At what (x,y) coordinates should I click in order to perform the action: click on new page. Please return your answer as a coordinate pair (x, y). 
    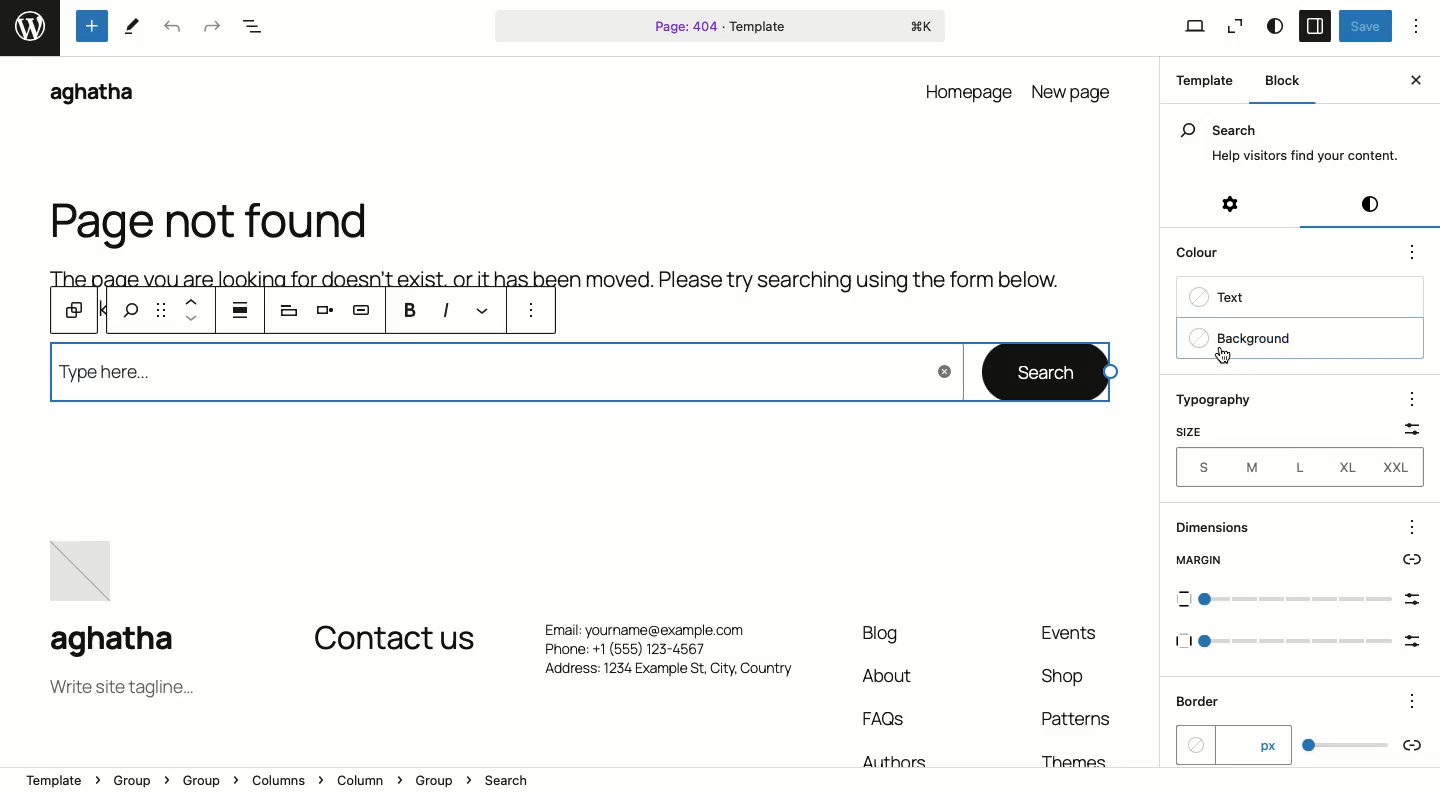
    Looking at the image, I should click on (1075, 90).